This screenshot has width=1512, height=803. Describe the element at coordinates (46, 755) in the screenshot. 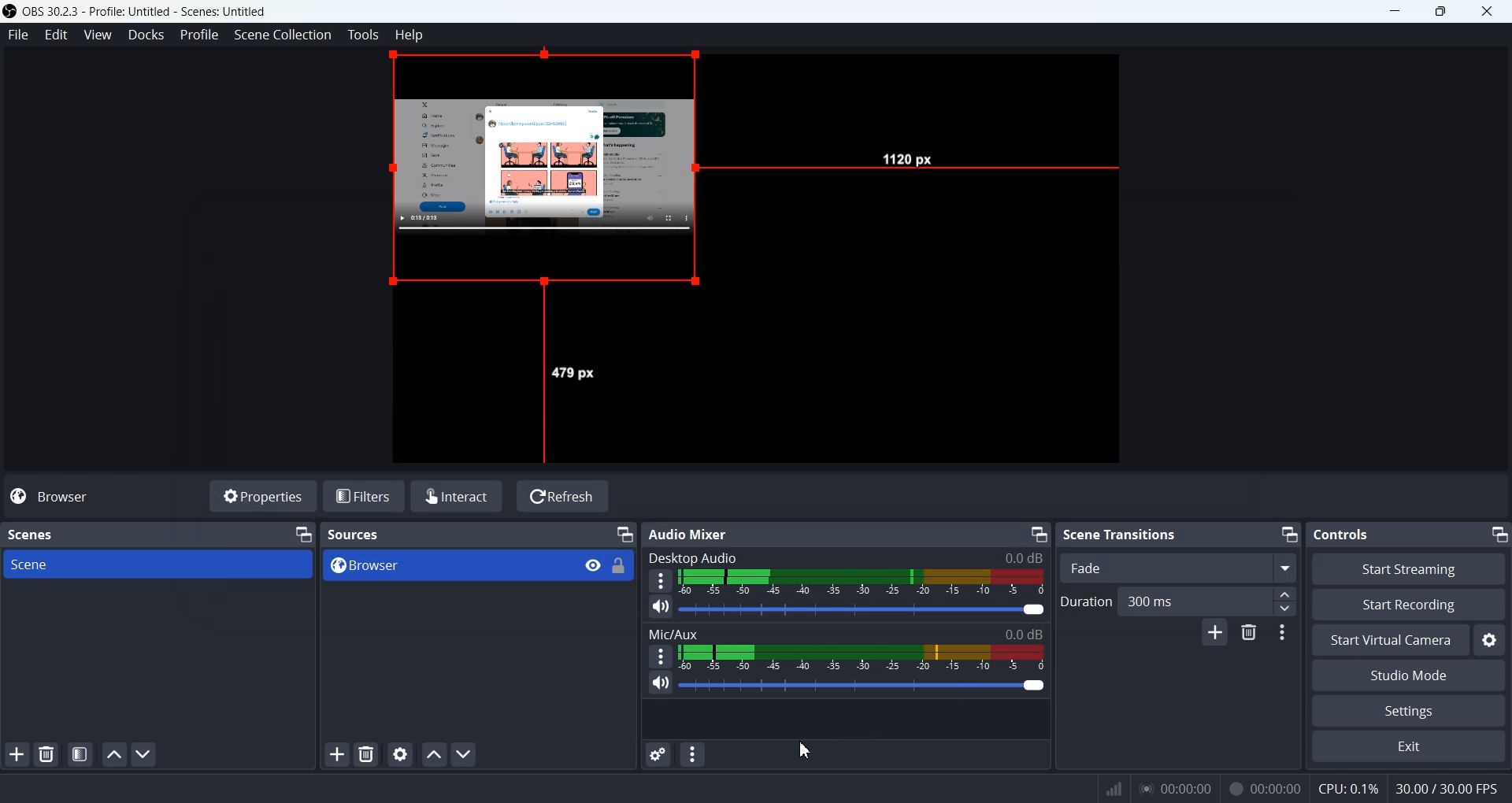

I see `Delete Selected Scene` at that location.